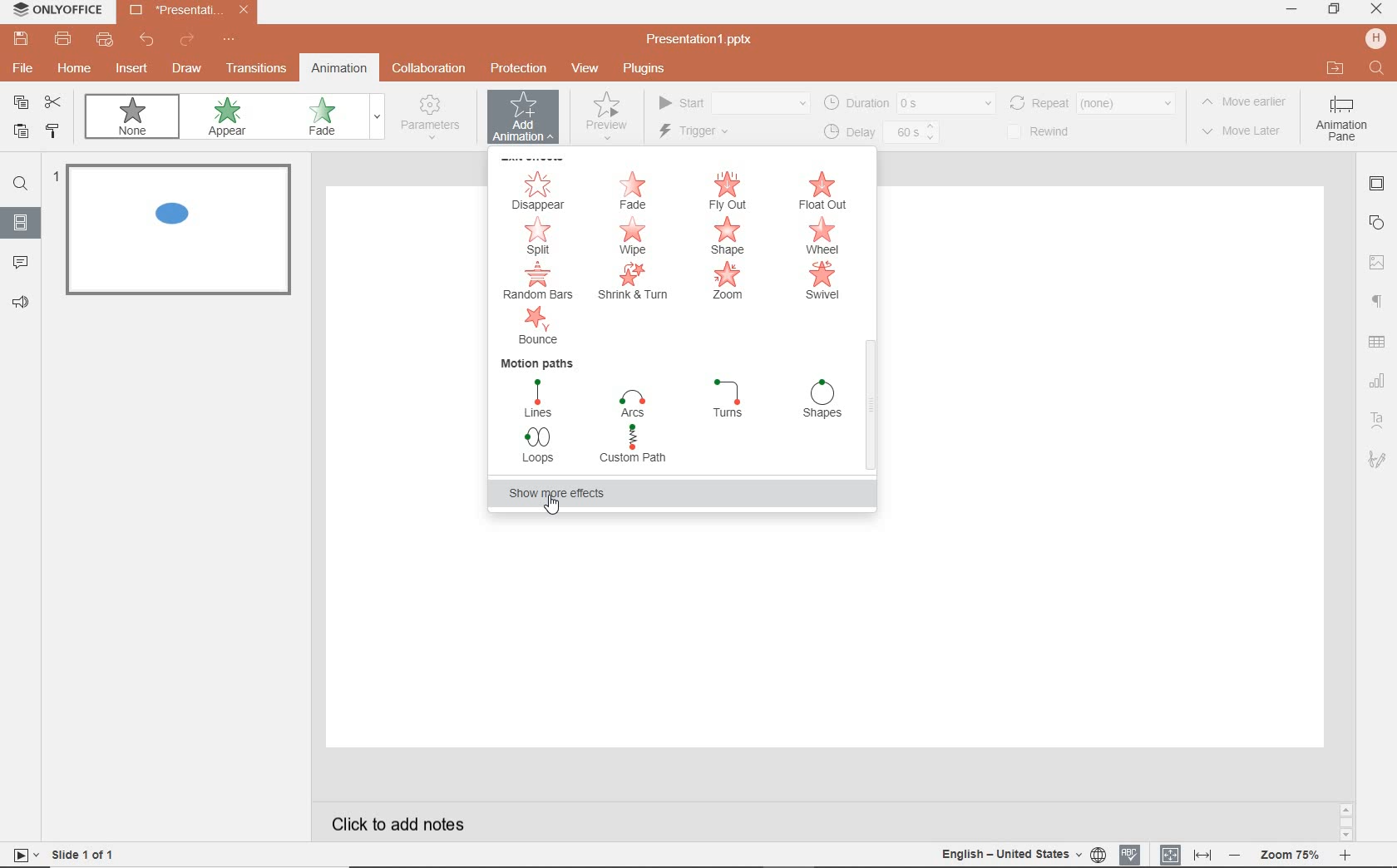  What do you see at coordinates (880, 133) in the screenshot?
I see `delay` at bounding box center [880, 133].